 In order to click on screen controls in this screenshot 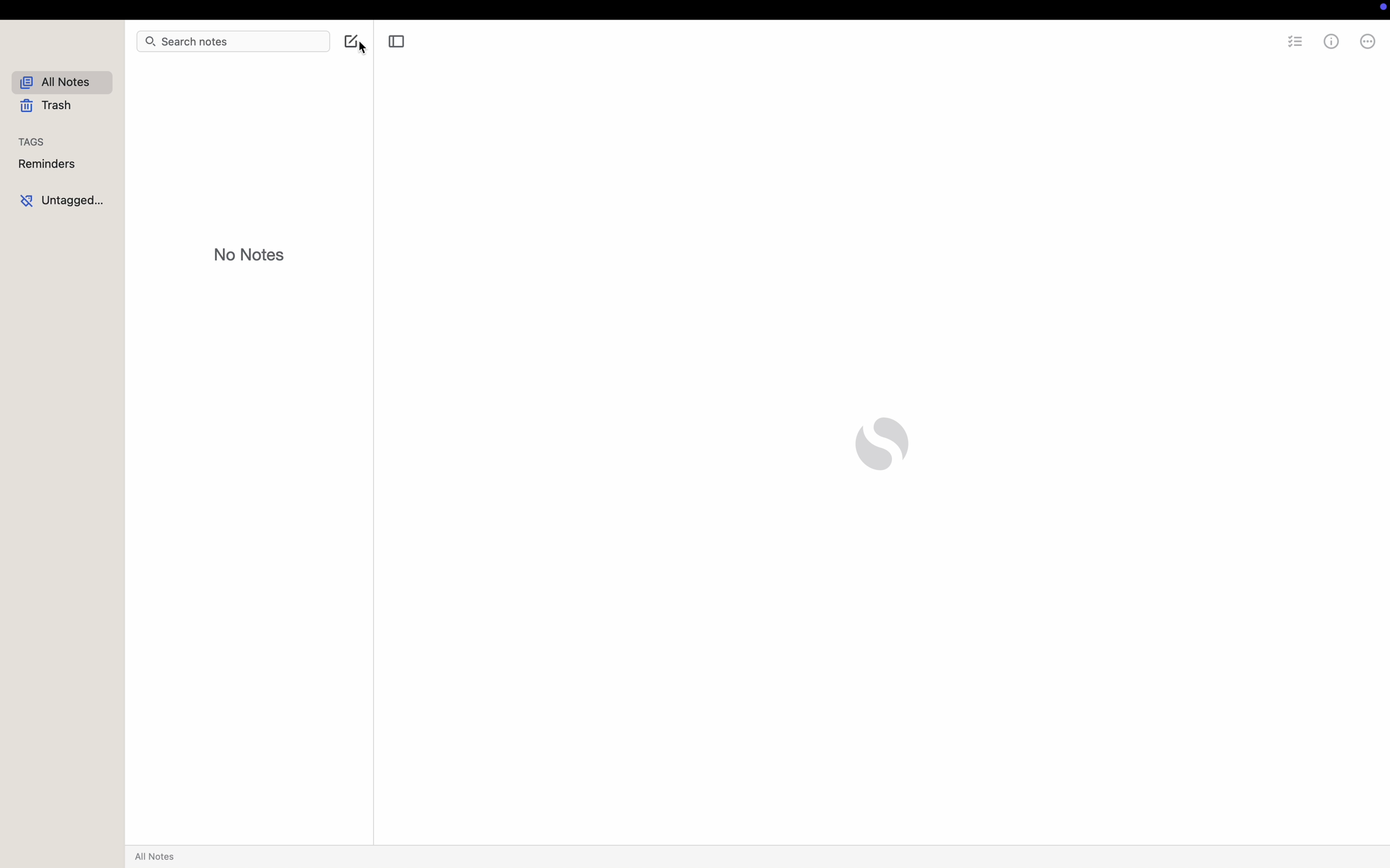, I will do `click(1380, 10)`.